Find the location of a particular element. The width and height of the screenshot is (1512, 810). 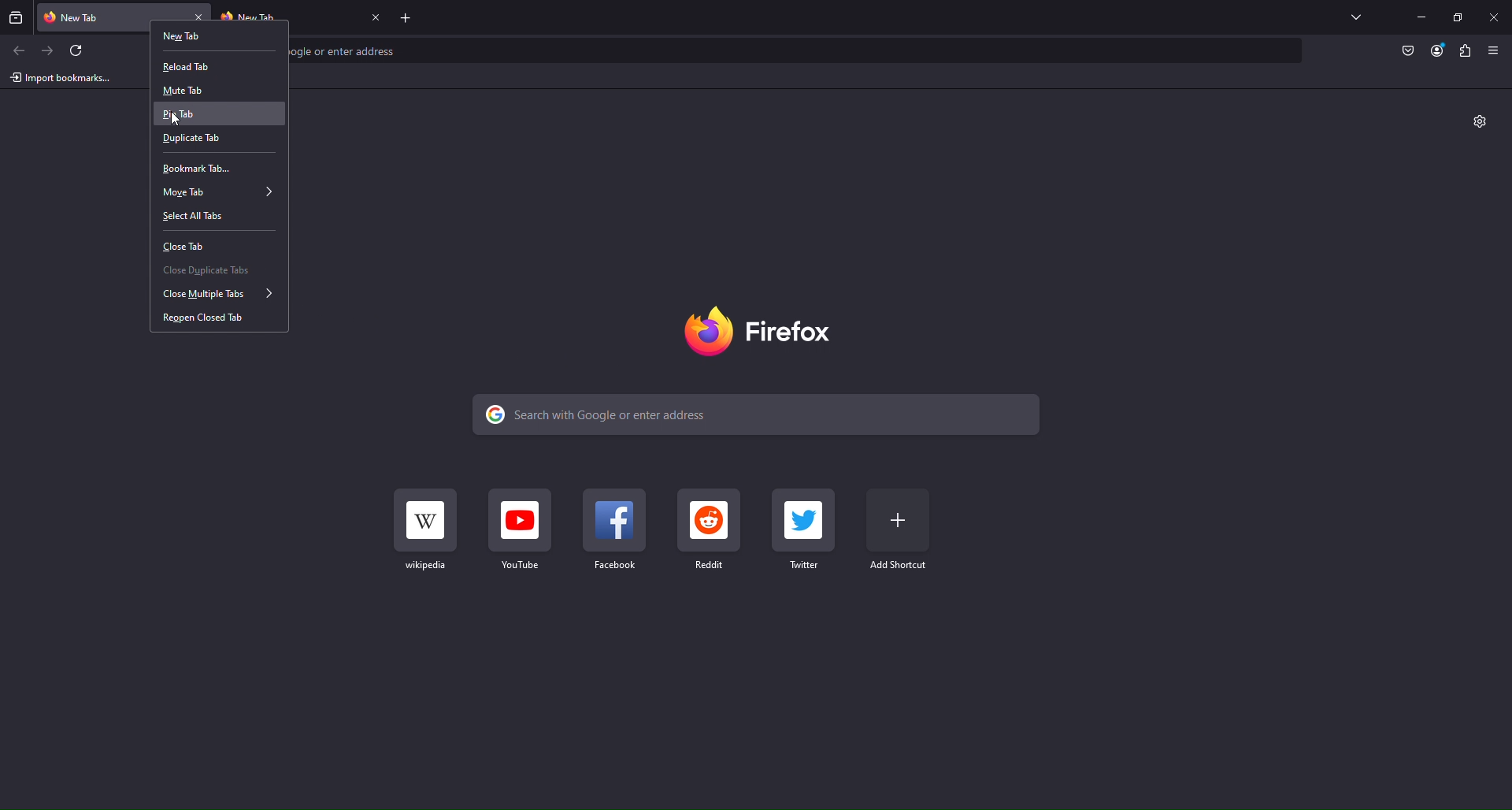

Reddit Shortcut is located at coordinates (710, 529).